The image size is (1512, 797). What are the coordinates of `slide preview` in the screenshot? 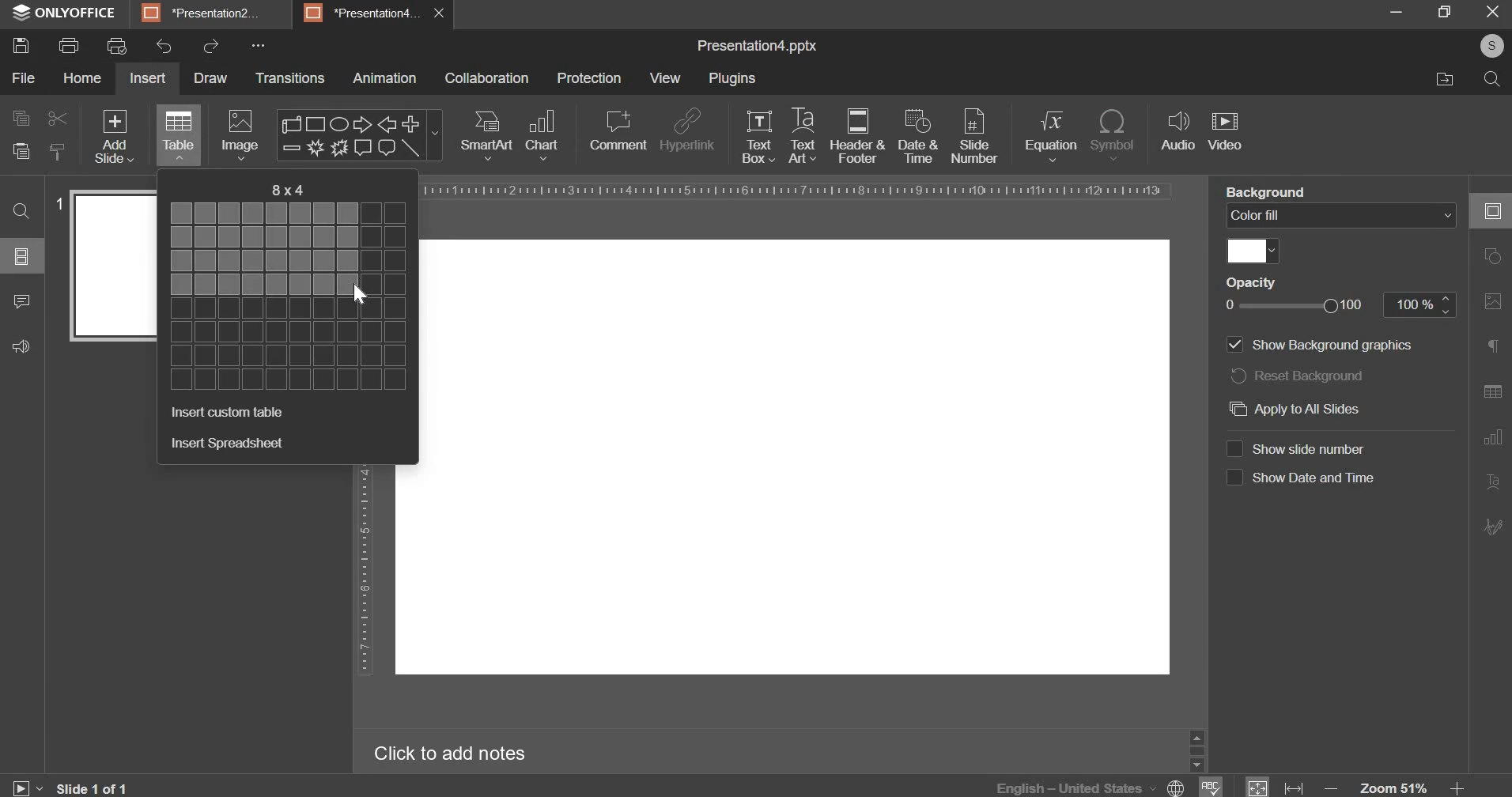 It's located at (114, 266).